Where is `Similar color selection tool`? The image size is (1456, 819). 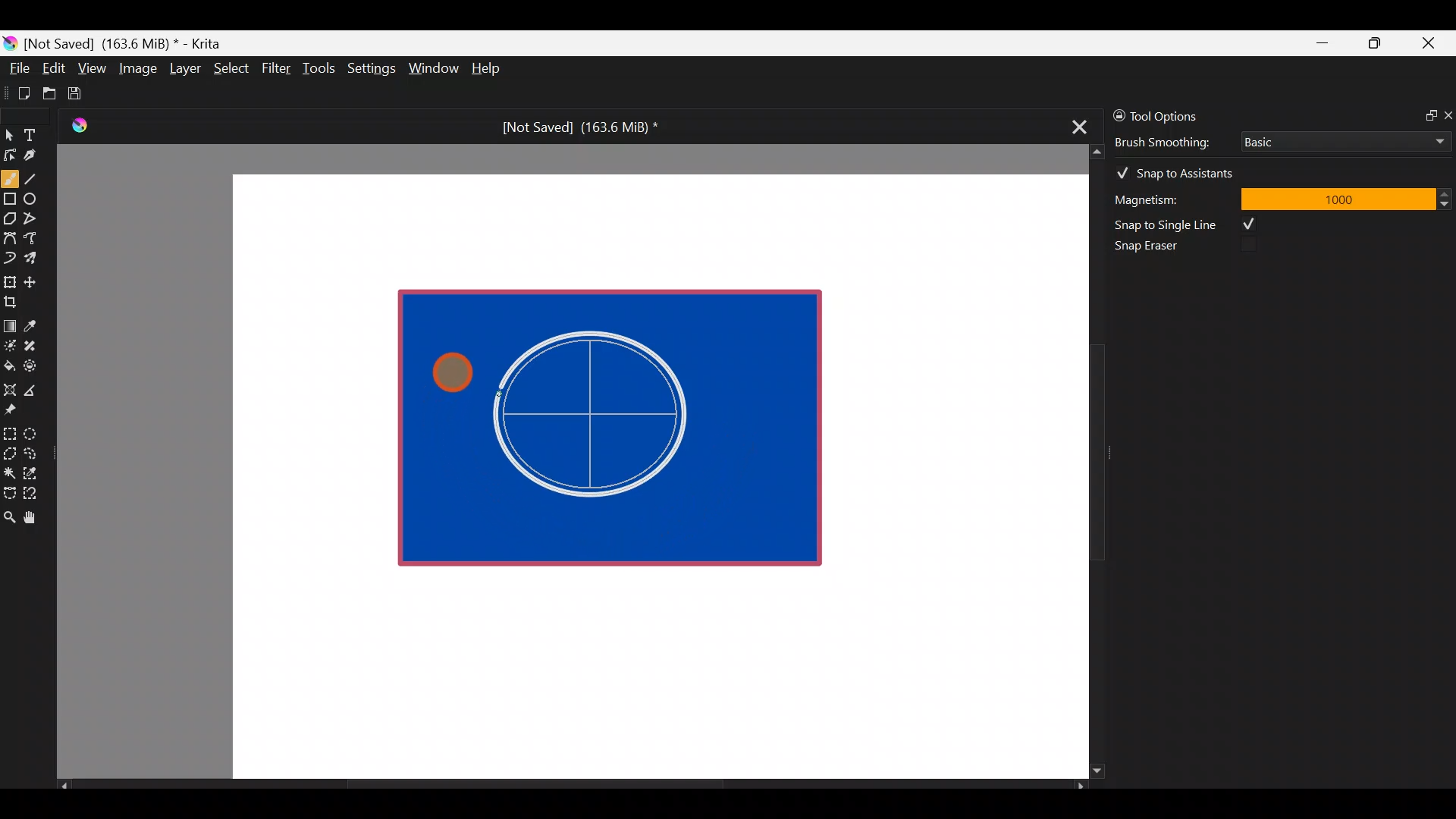 Similar color selection tool is located at coordinates (33, 472).